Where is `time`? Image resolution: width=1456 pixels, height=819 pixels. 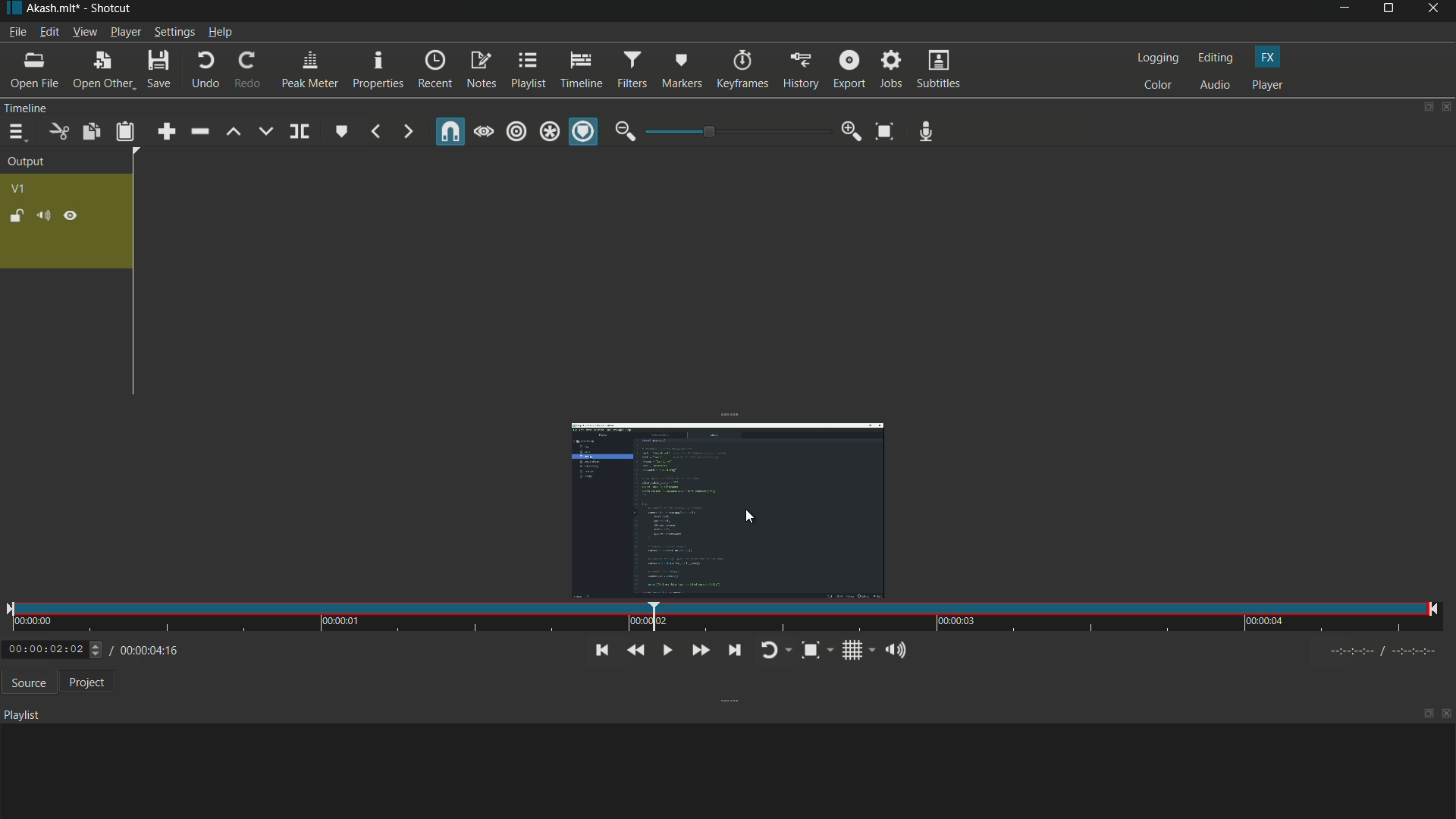 time is located at coordinates (722, 617).